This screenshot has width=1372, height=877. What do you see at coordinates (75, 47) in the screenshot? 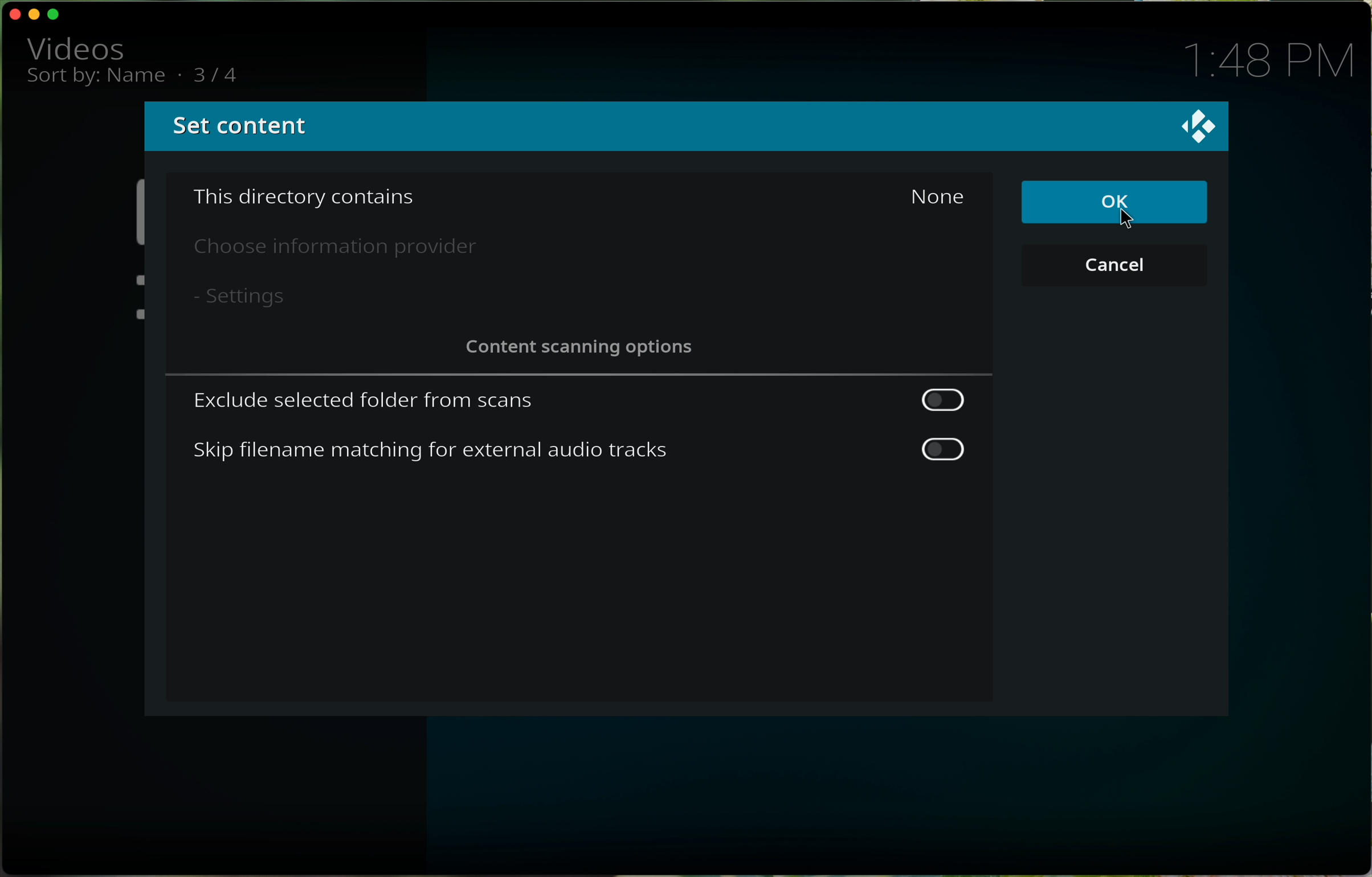
I see `video` at bounding box center [75, 47].